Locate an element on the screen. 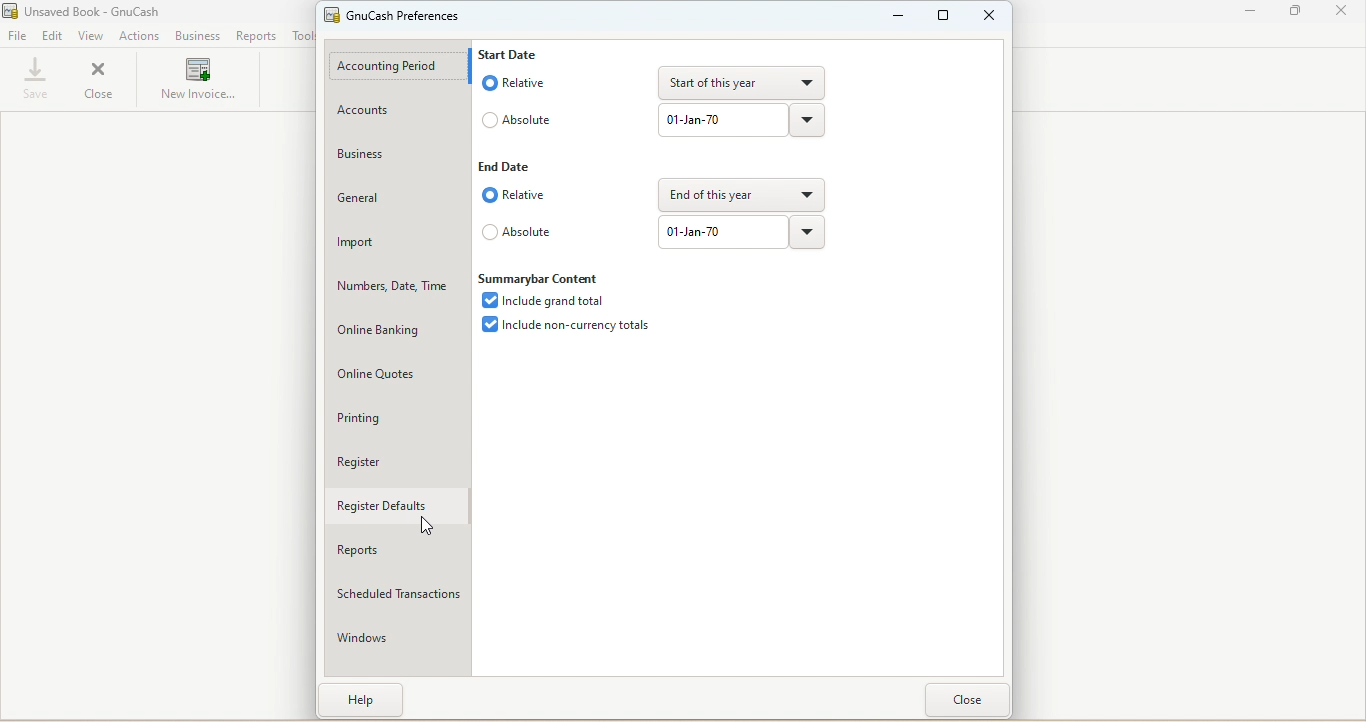 The height and width of the screenshot is (722, 1366). View is located at coordinates (89, 36).